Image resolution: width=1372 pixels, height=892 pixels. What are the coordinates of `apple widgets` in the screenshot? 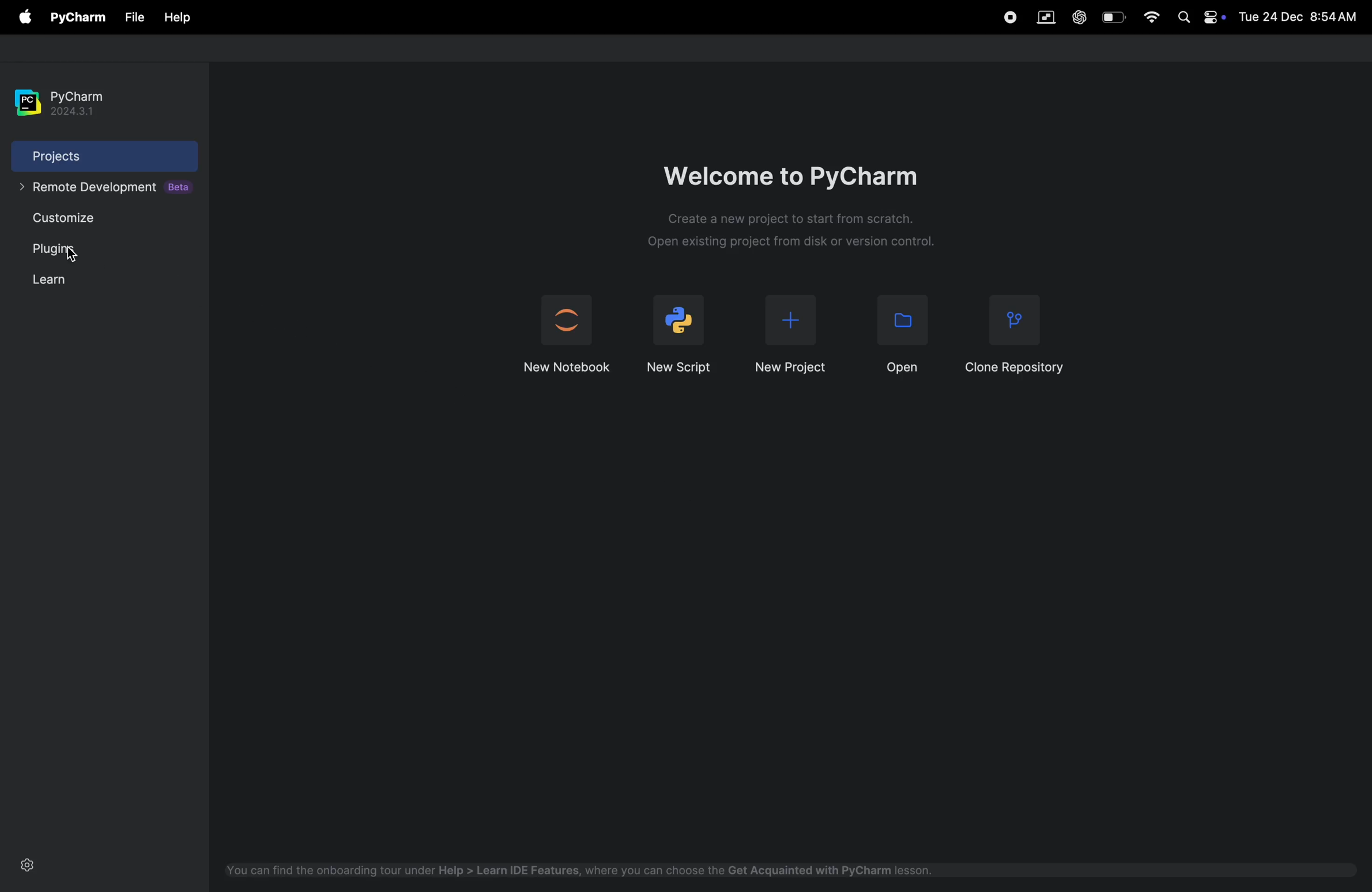 It's located at (1197, 18).